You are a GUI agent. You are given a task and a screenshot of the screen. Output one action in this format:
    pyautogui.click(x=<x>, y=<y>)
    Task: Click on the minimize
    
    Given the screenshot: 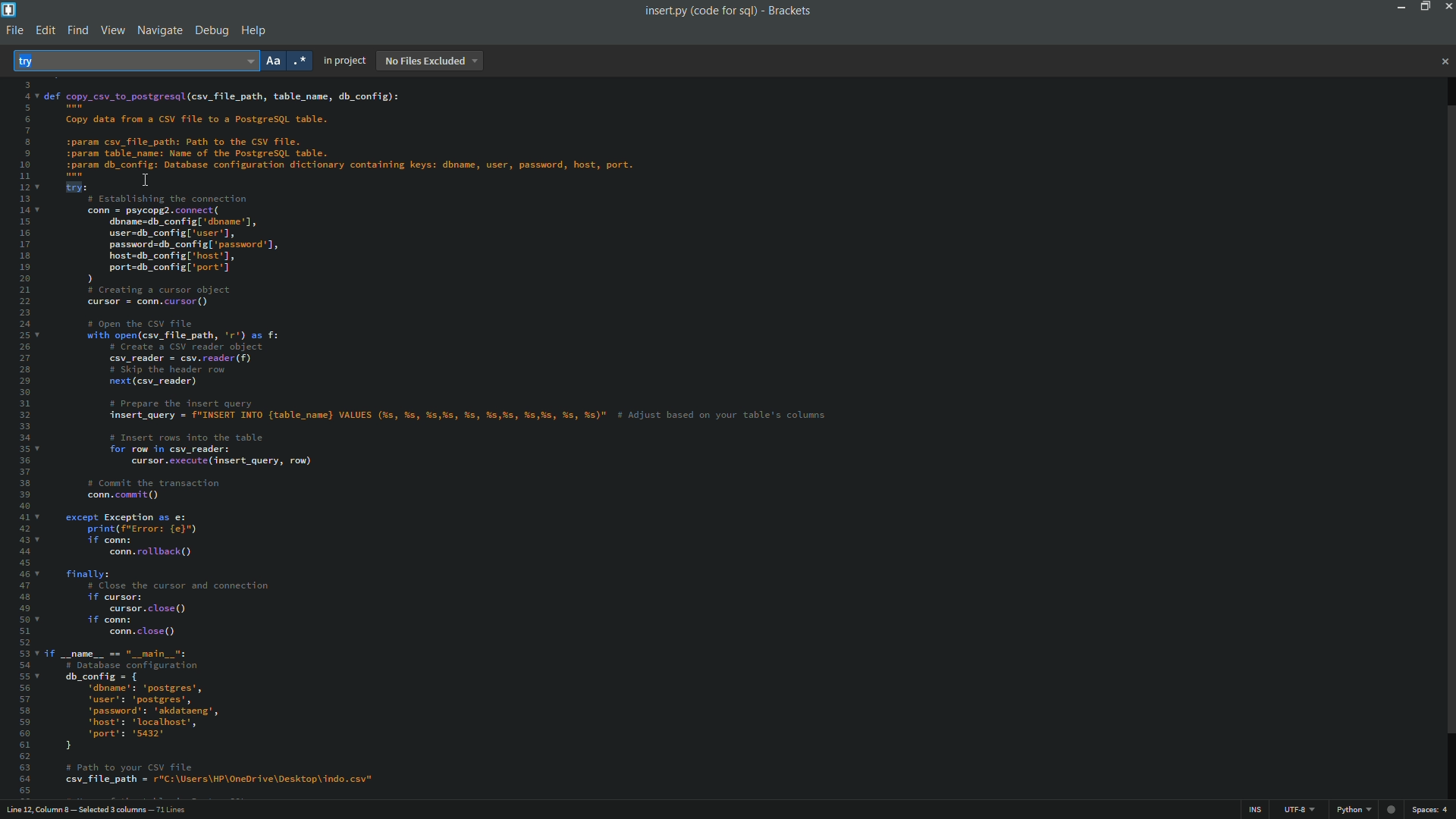 What is the action you would take?
    pyautogui.click(x=1396, y=6)
    